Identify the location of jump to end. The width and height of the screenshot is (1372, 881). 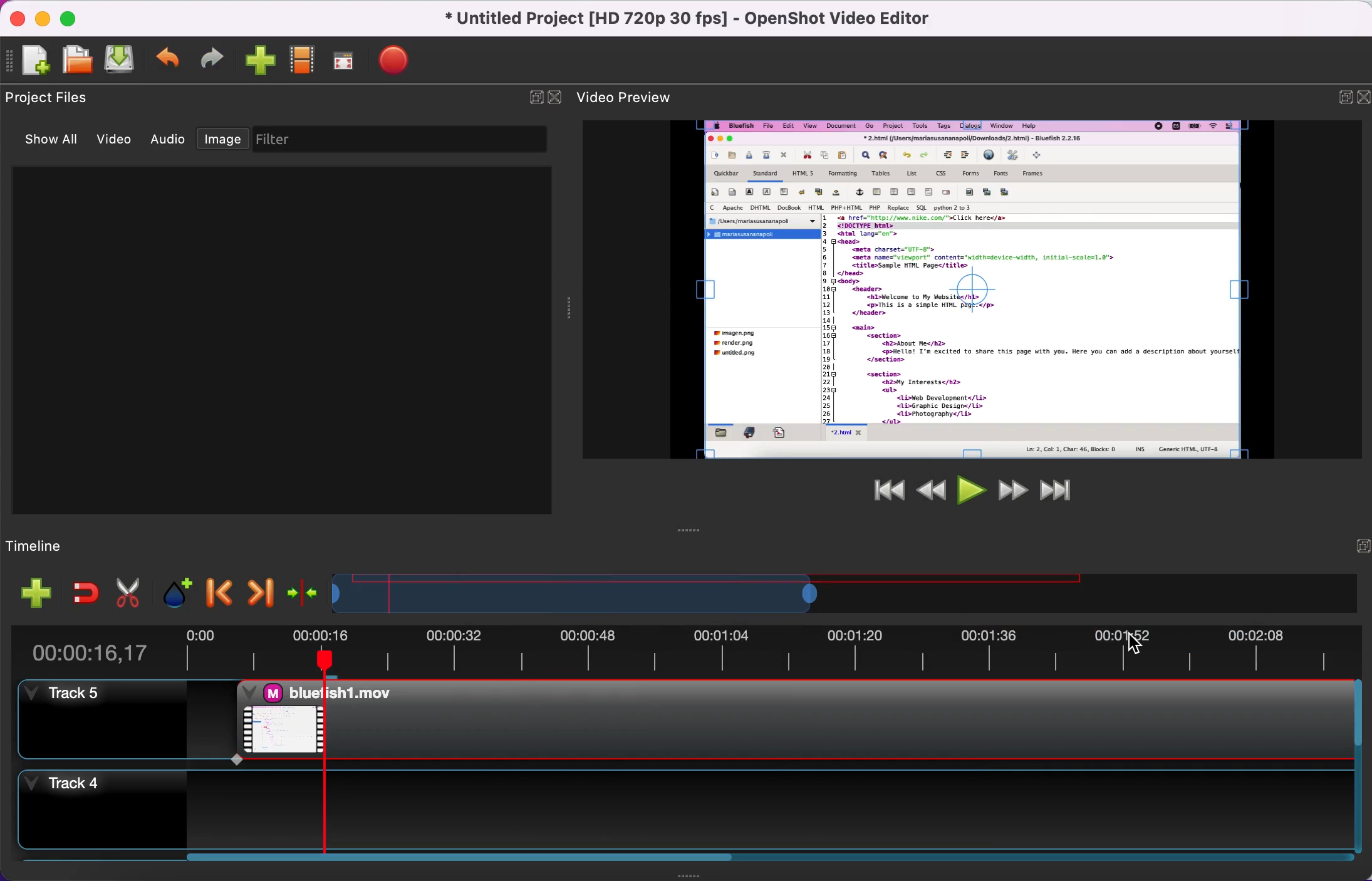
(1056, 489).